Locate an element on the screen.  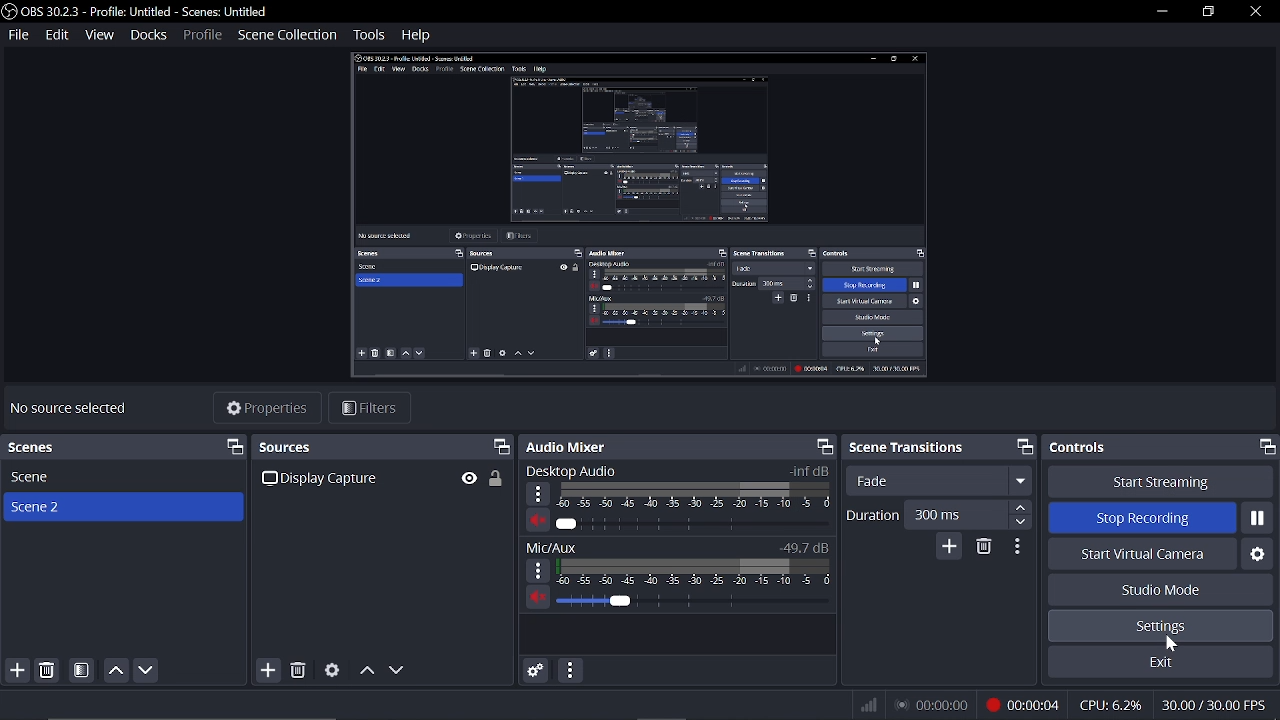
start streaming is located at coordinates (1162, 481).